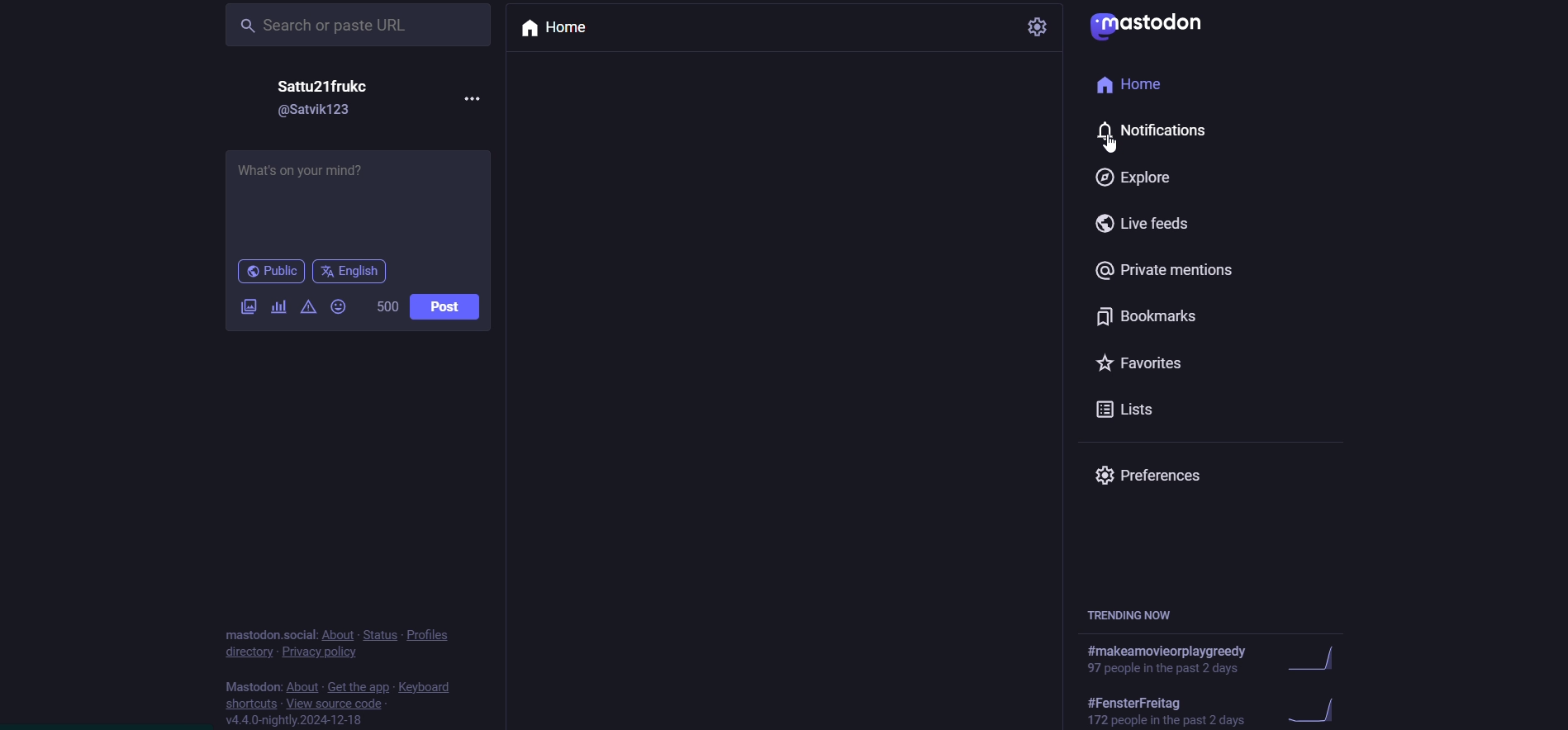 The width and height of the screenshot is (1568, 730). What do you see at coordinates (339, 635) in the screenshot?
I see `about` at bounding box center [339, 635].